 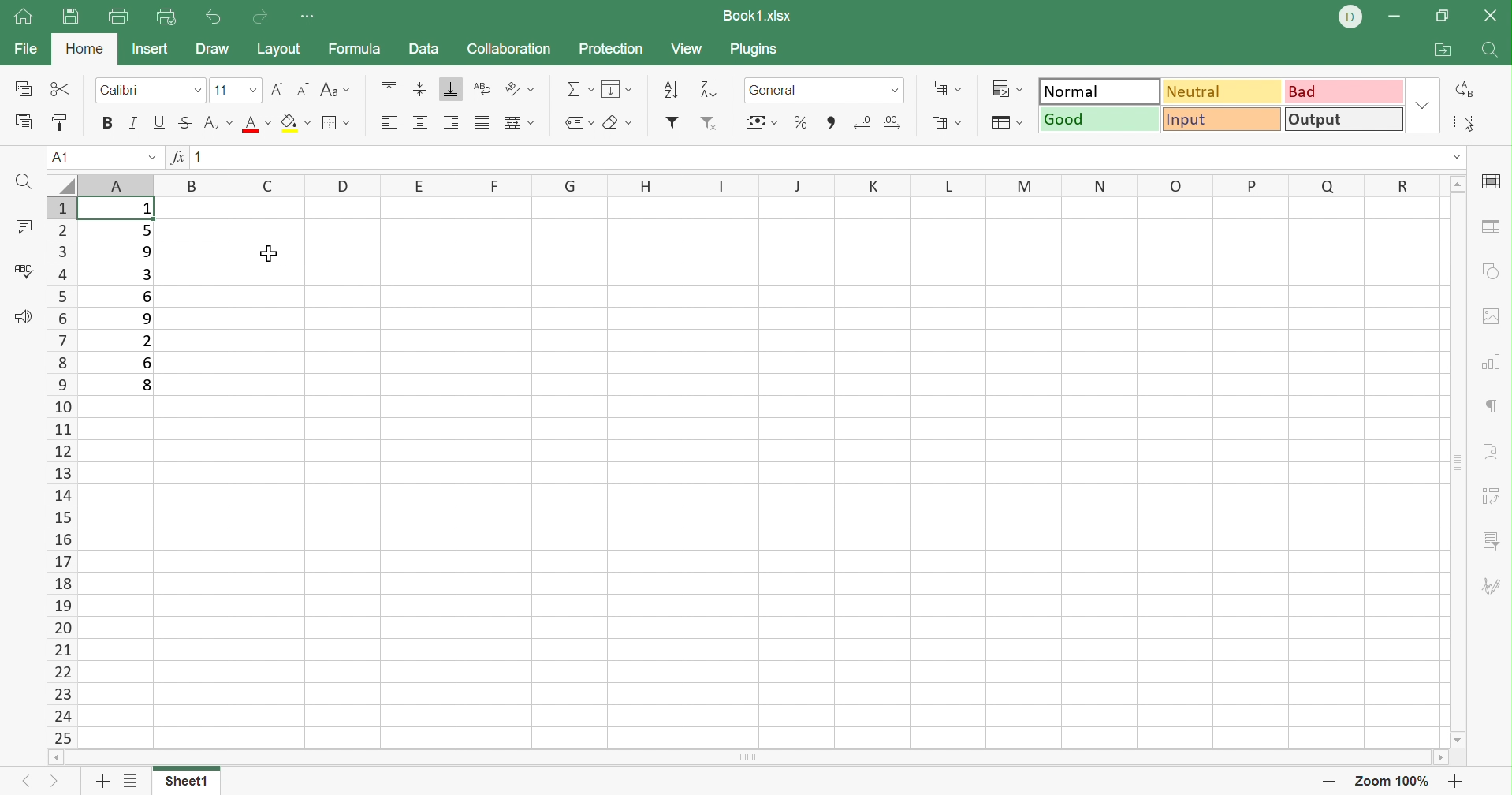 What do you see at coordinates (167, 19) in the screenshot?
I see `Quick print` at bounding box center [167, 19].